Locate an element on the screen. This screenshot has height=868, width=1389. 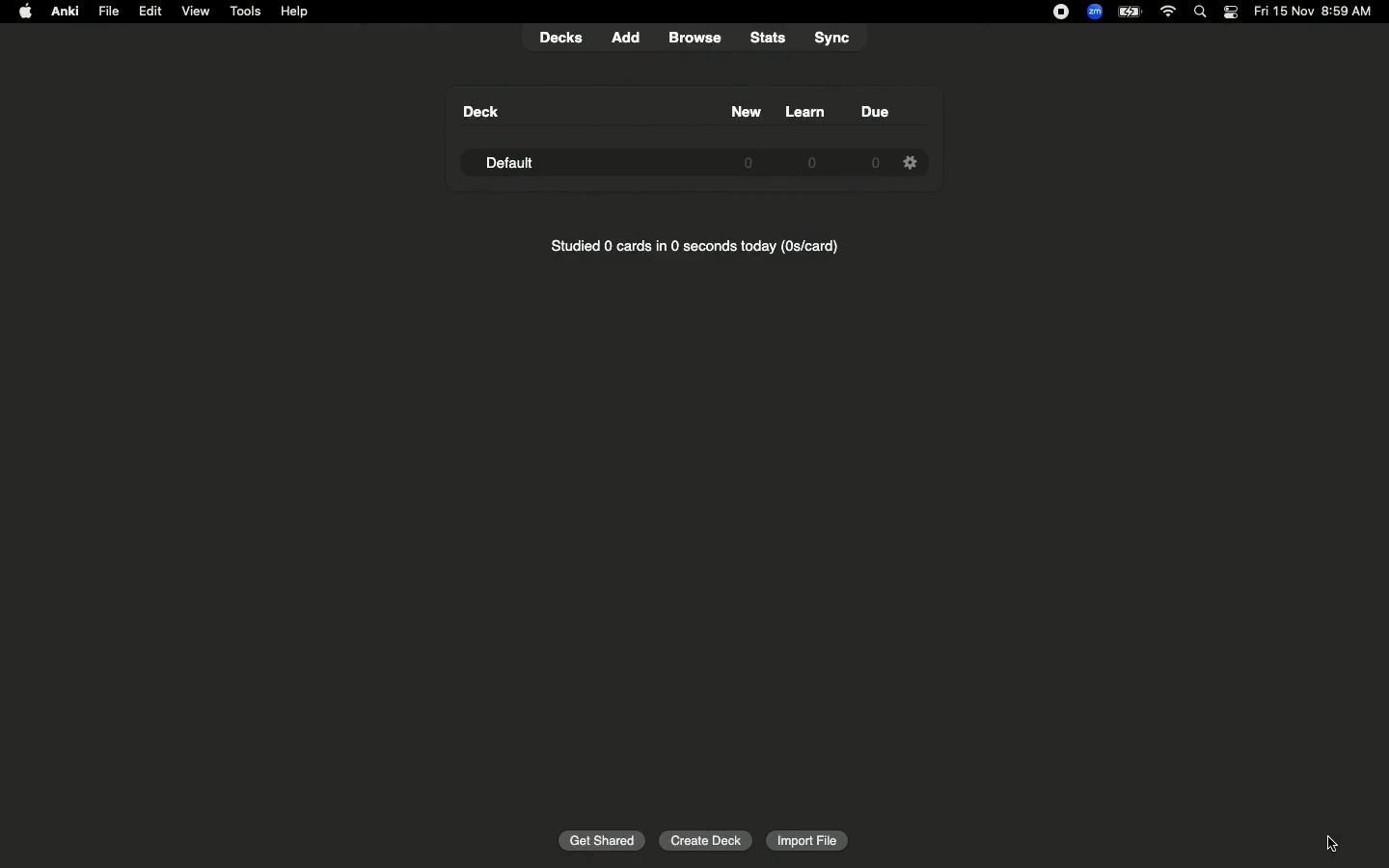
New is located at coordinates (748, 112).